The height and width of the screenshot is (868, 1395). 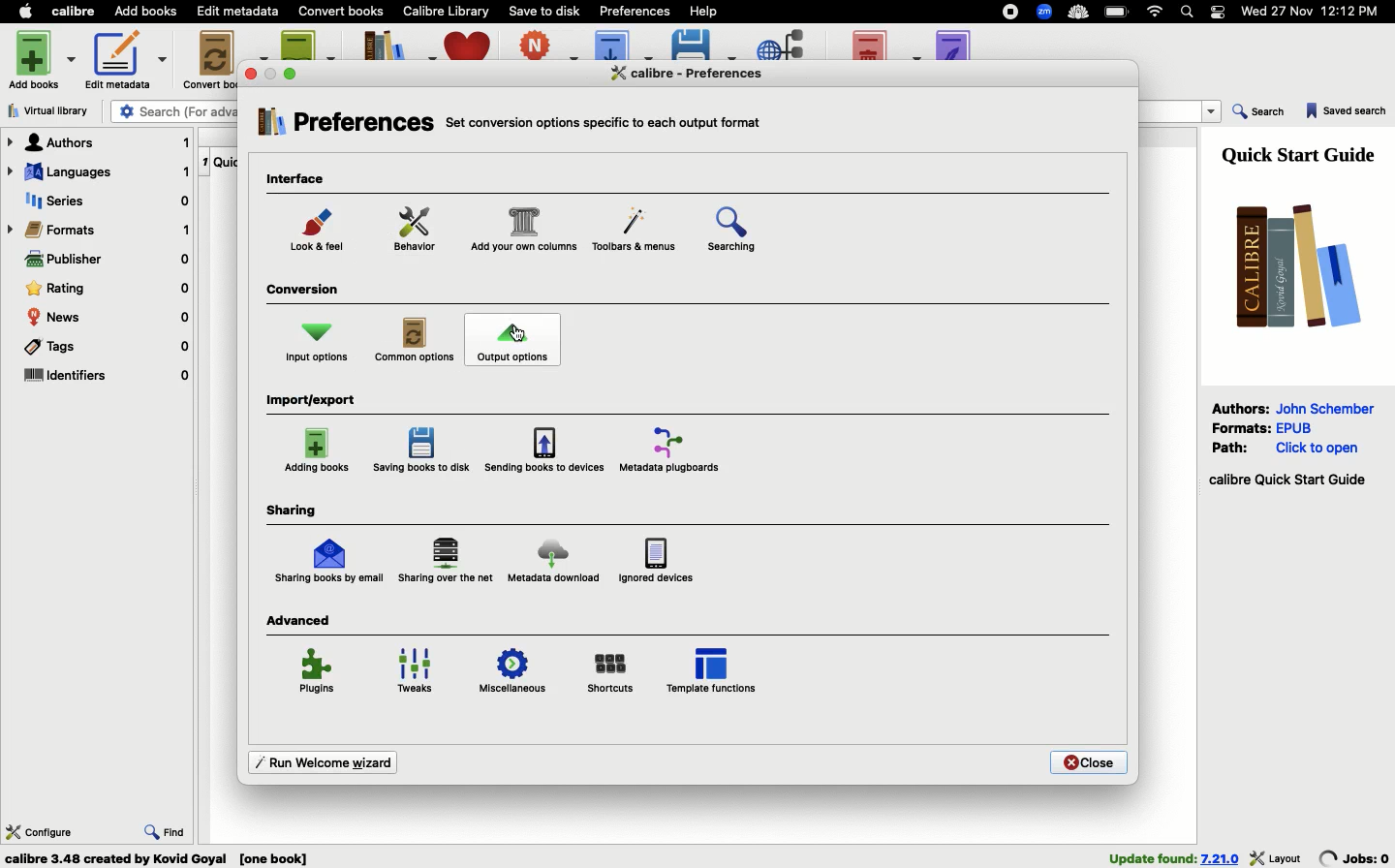 What do you see at coordinates (126, 60) in the screenshot?
I see `Edit metadata` at bounding box center [126, 60].